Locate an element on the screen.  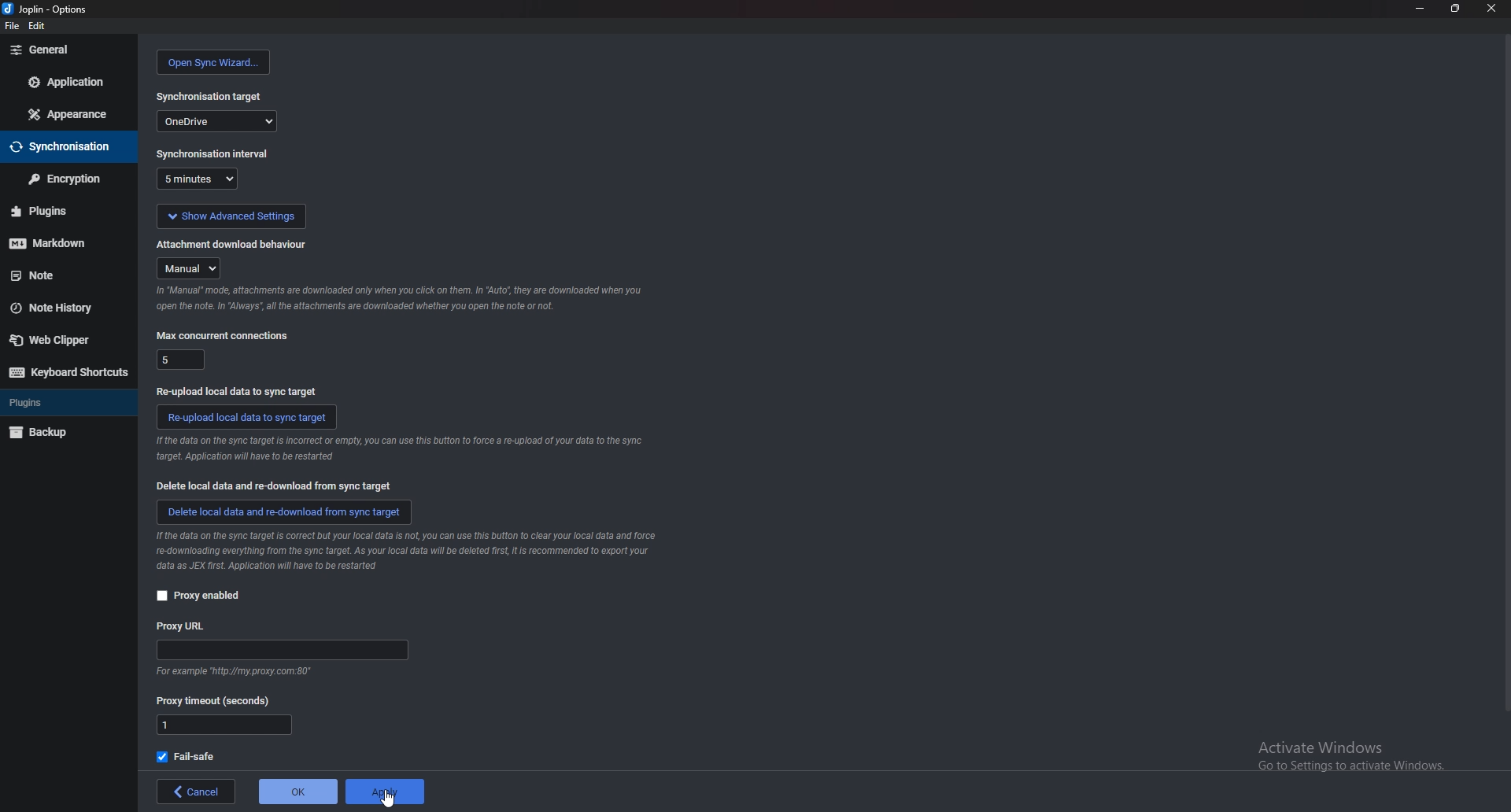
sync target is located at coordinates (210, 97).